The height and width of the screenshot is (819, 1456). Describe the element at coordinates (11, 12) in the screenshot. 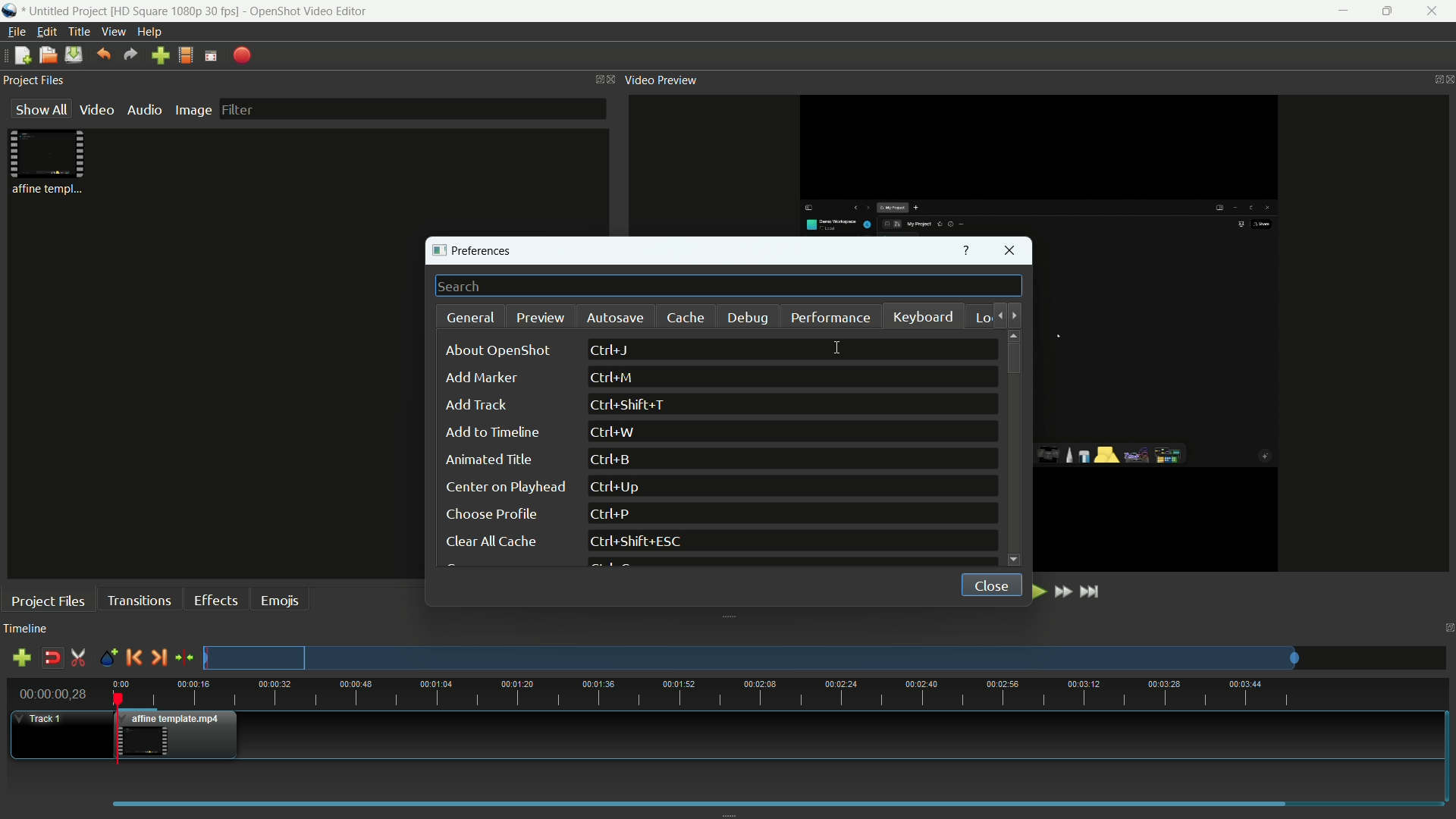

I see `app icon` at that location.